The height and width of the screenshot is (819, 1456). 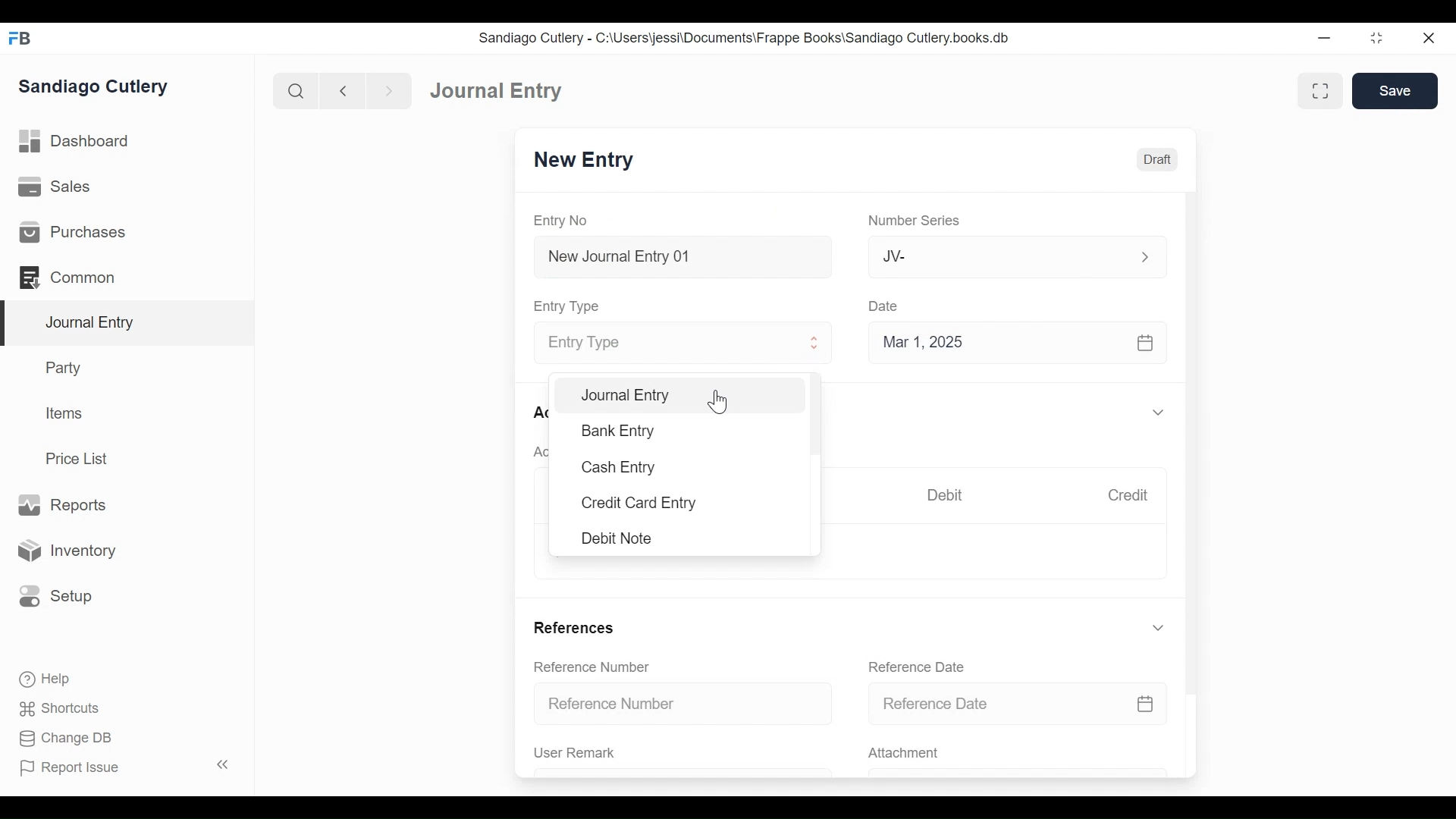 What do you see at coordinates (343, 89) in the screenshot?
I see `back` at bounding box center [343, 89].